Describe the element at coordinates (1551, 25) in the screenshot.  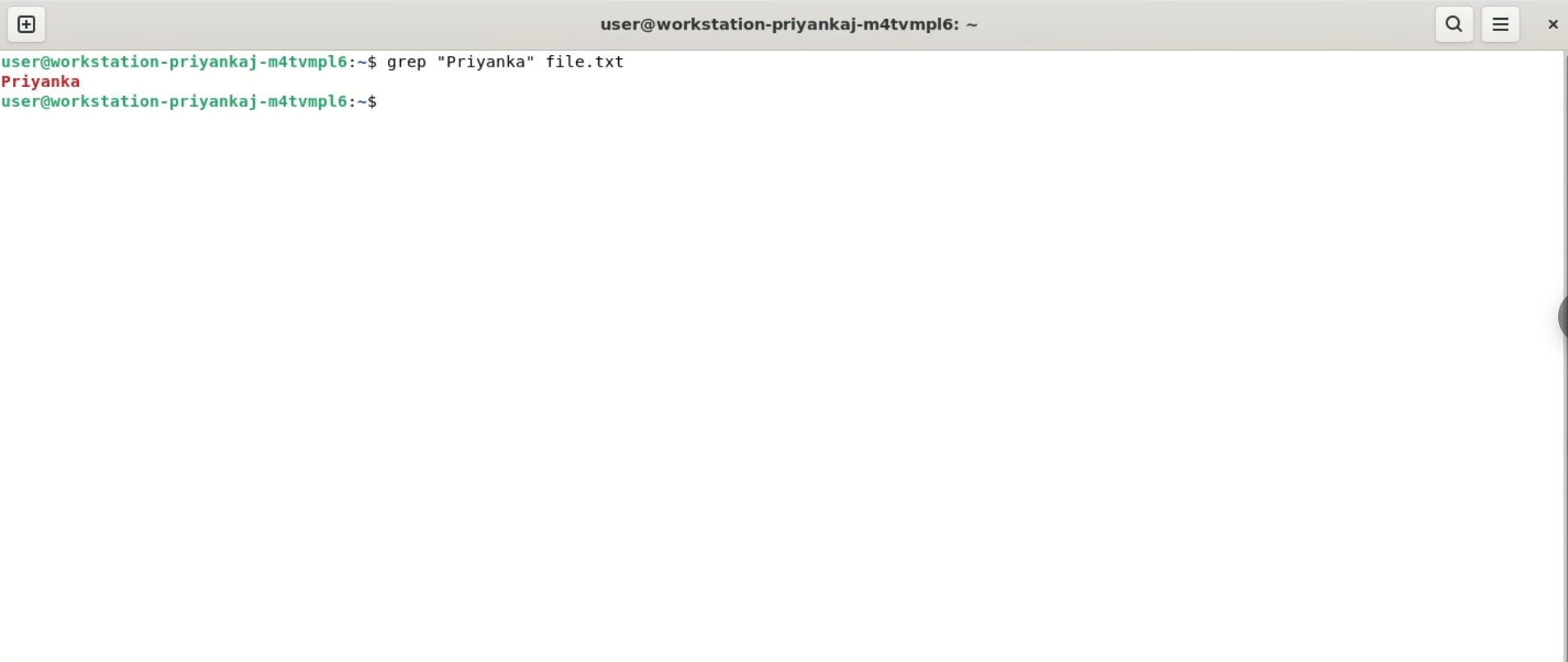
I see `close` at that location.